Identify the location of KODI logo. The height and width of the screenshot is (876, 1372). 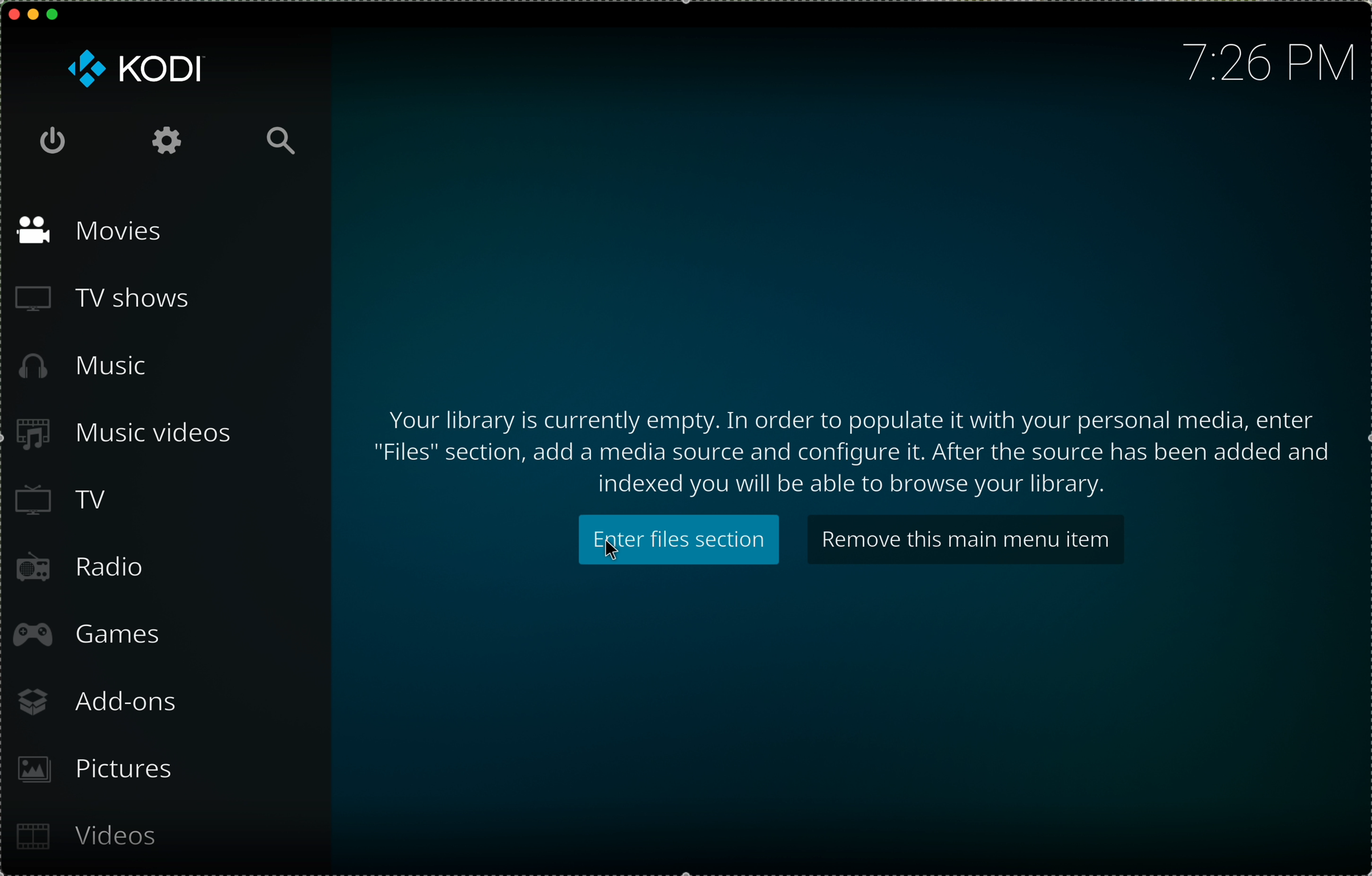
(134, 69).